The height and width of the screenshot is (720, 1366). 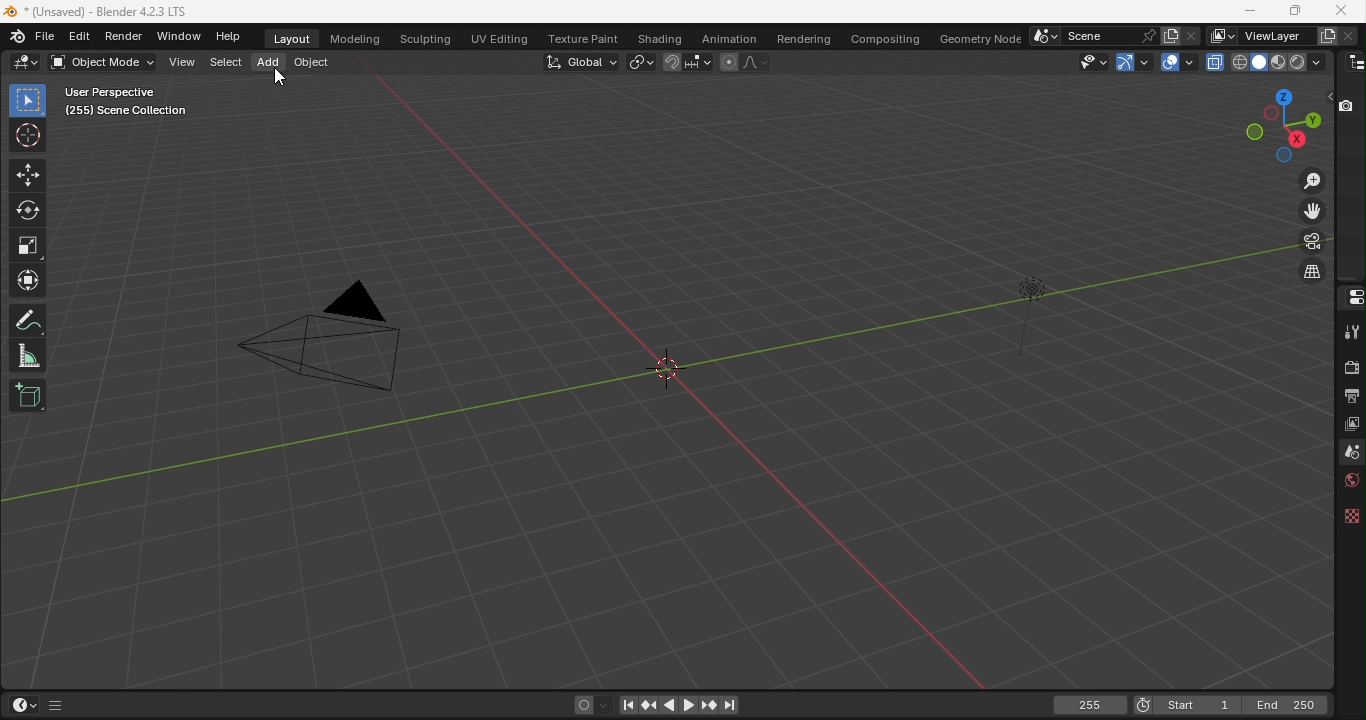 What do you see at coordinates (314, 64) in the screenshot?
I see `Object` at bounding box center [314, 64].